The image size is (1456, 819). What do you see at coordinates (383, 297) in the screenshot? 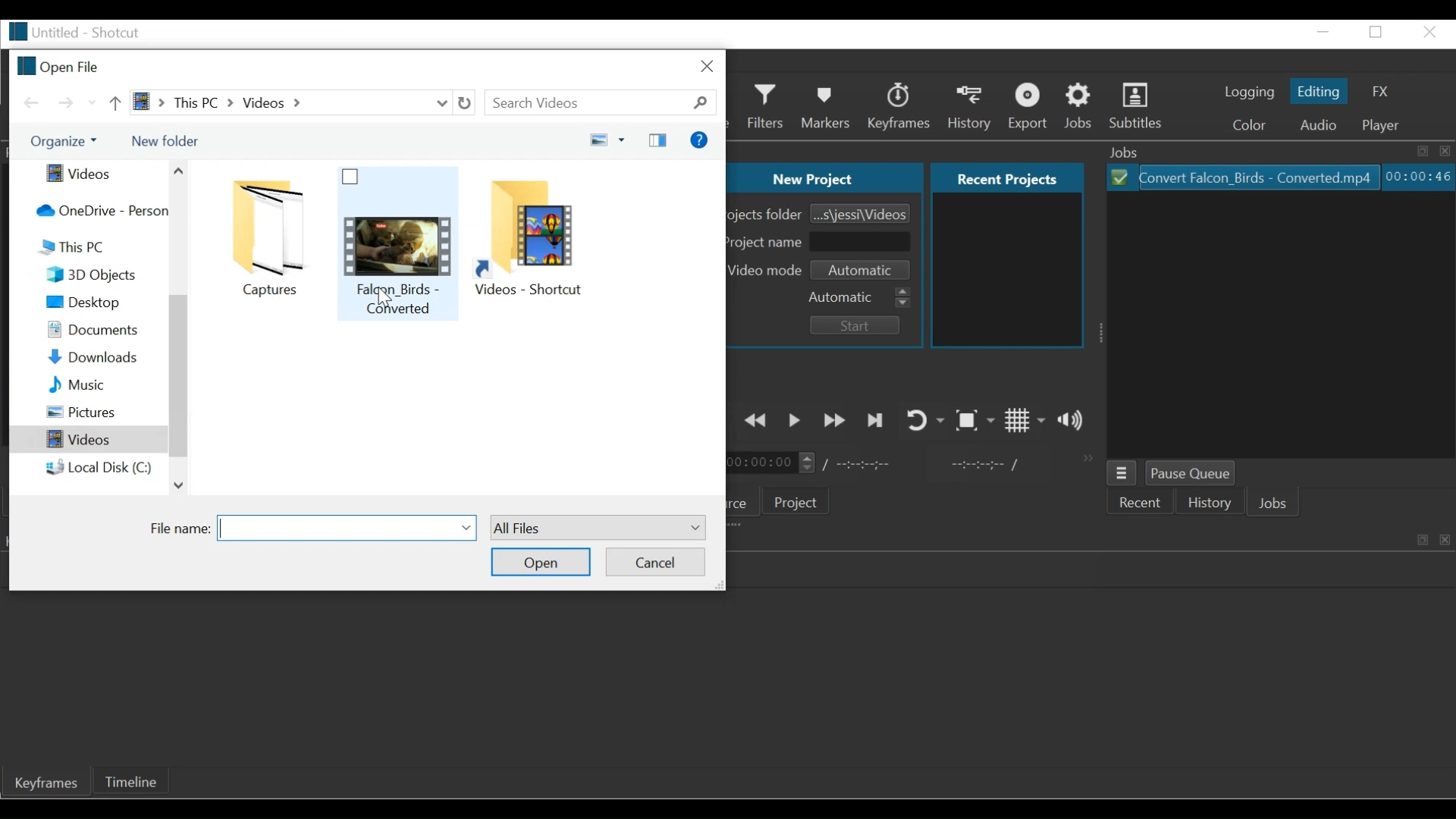
I see `Cursor` at bounding box center [383, 297].